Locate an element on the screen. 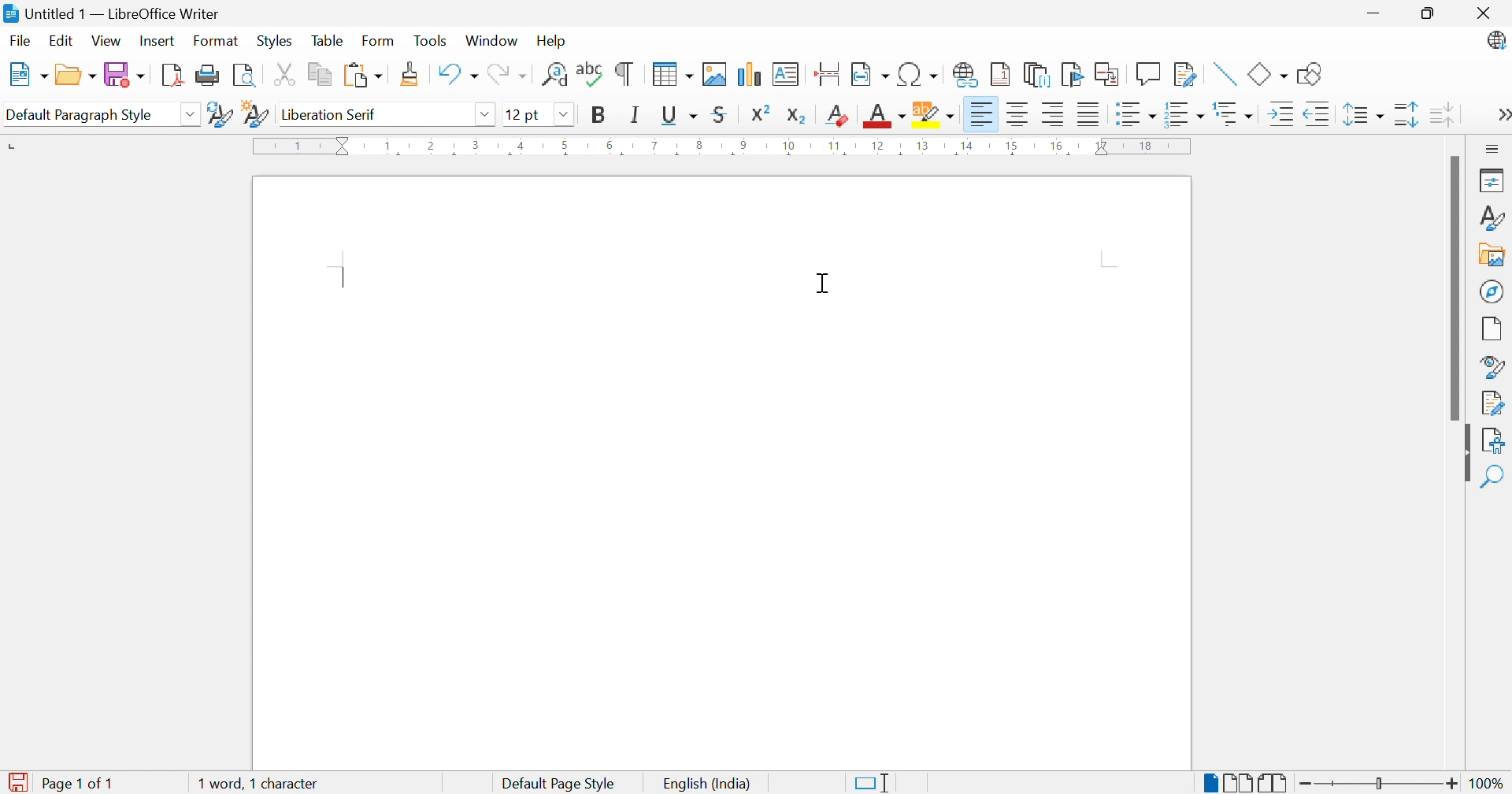 This screenshot has height=794, width=1512. 100% is located at coordinates (1488, 782).